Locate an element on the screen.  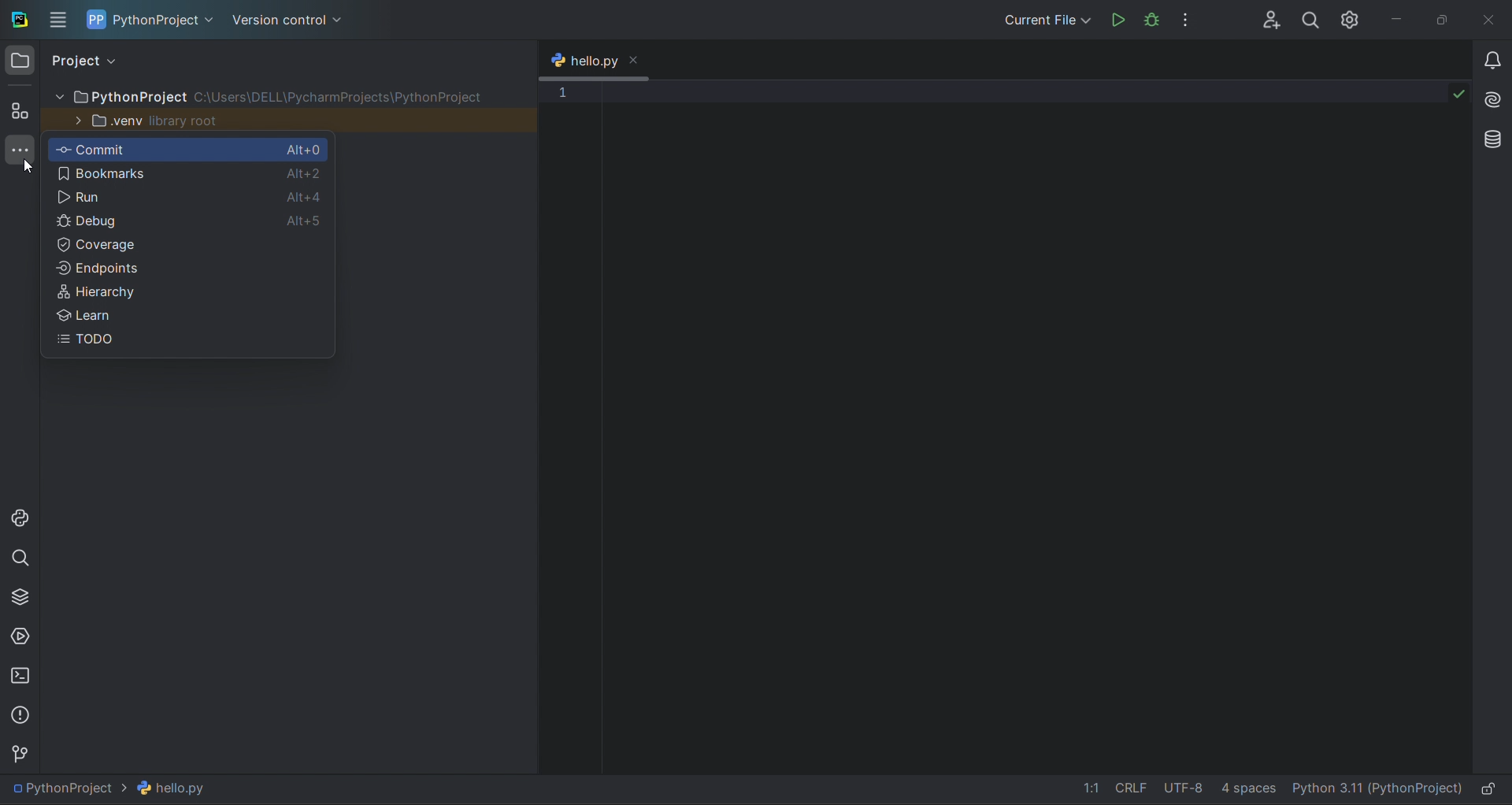
problems is located at coordinates (20, 714).